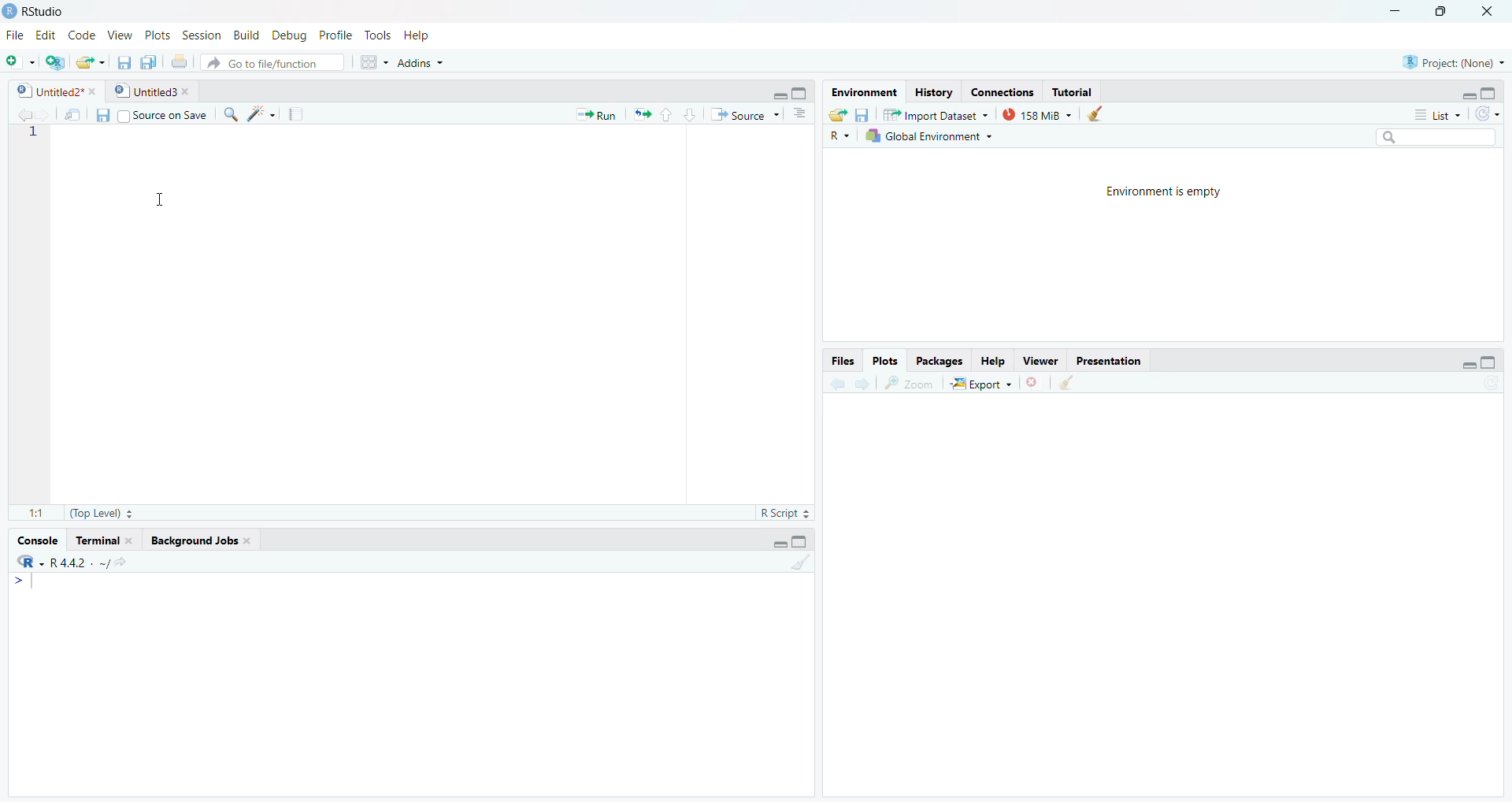  I want to click on Connections, so click(999, 89).